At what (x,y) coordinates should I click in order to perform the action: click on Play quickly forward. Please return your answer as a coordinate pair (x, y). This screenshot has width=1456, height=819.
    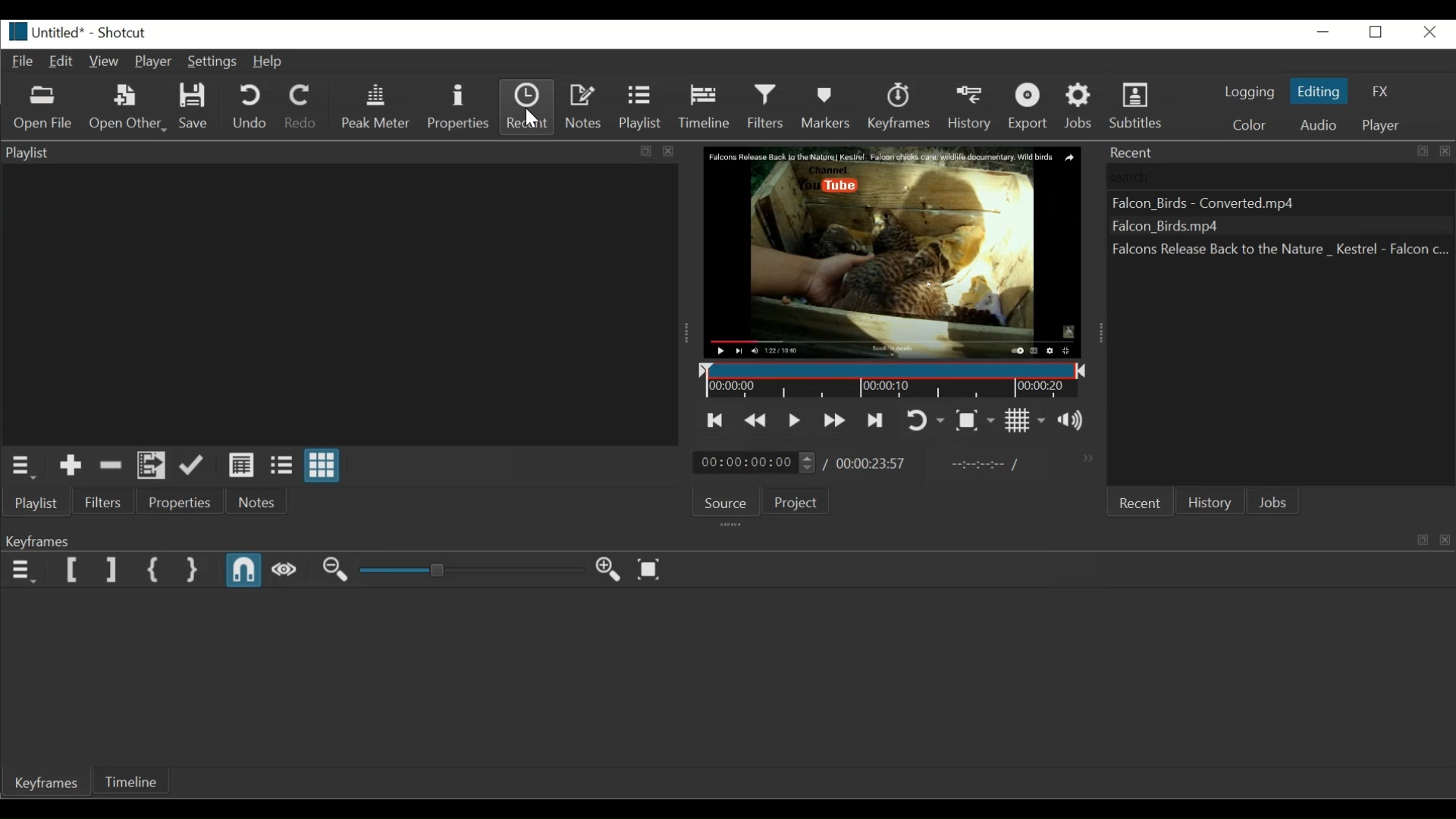
    Looking at the image, I should click on (830, 420).